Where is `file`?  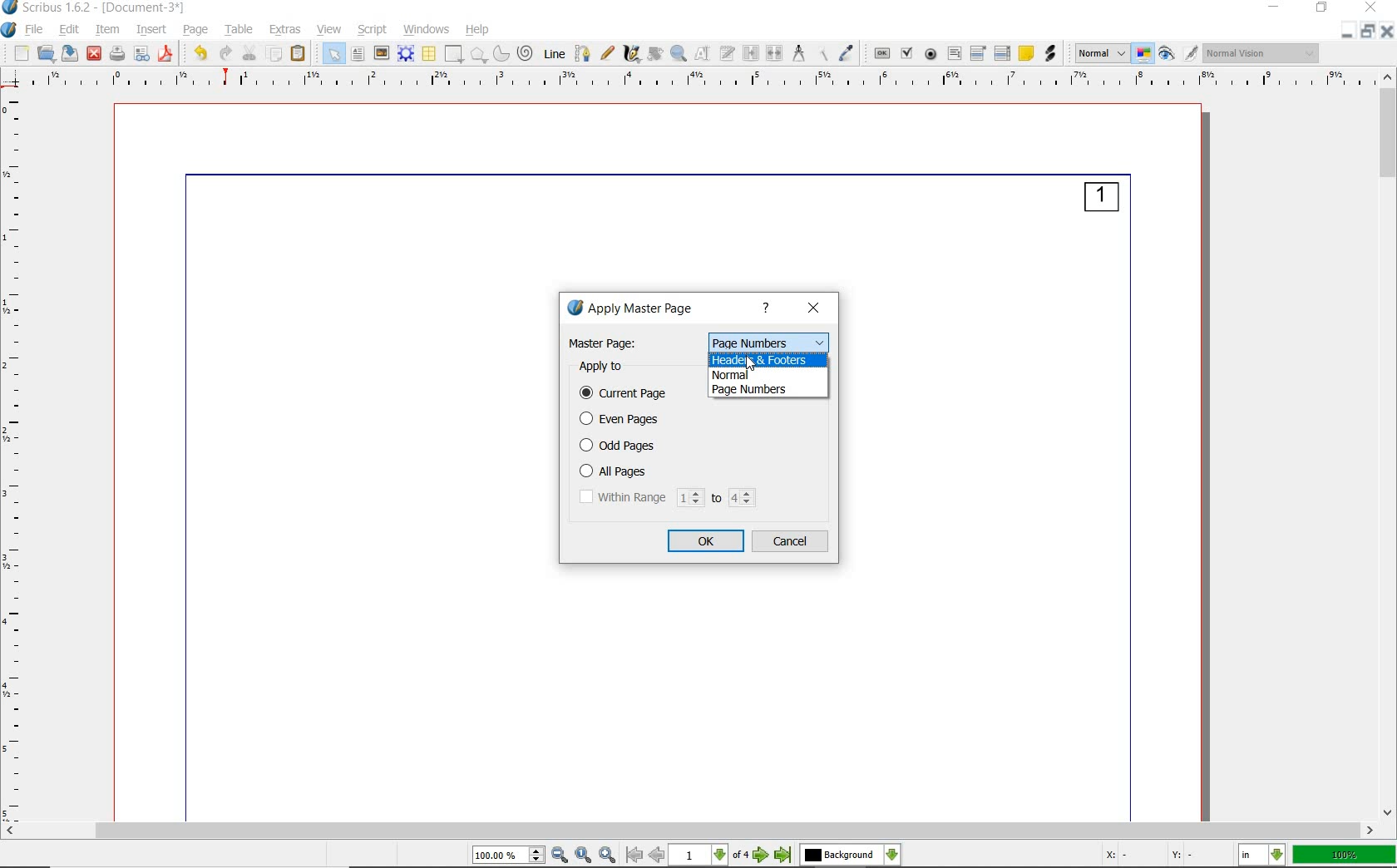
file is located at coordinates (36, 30).